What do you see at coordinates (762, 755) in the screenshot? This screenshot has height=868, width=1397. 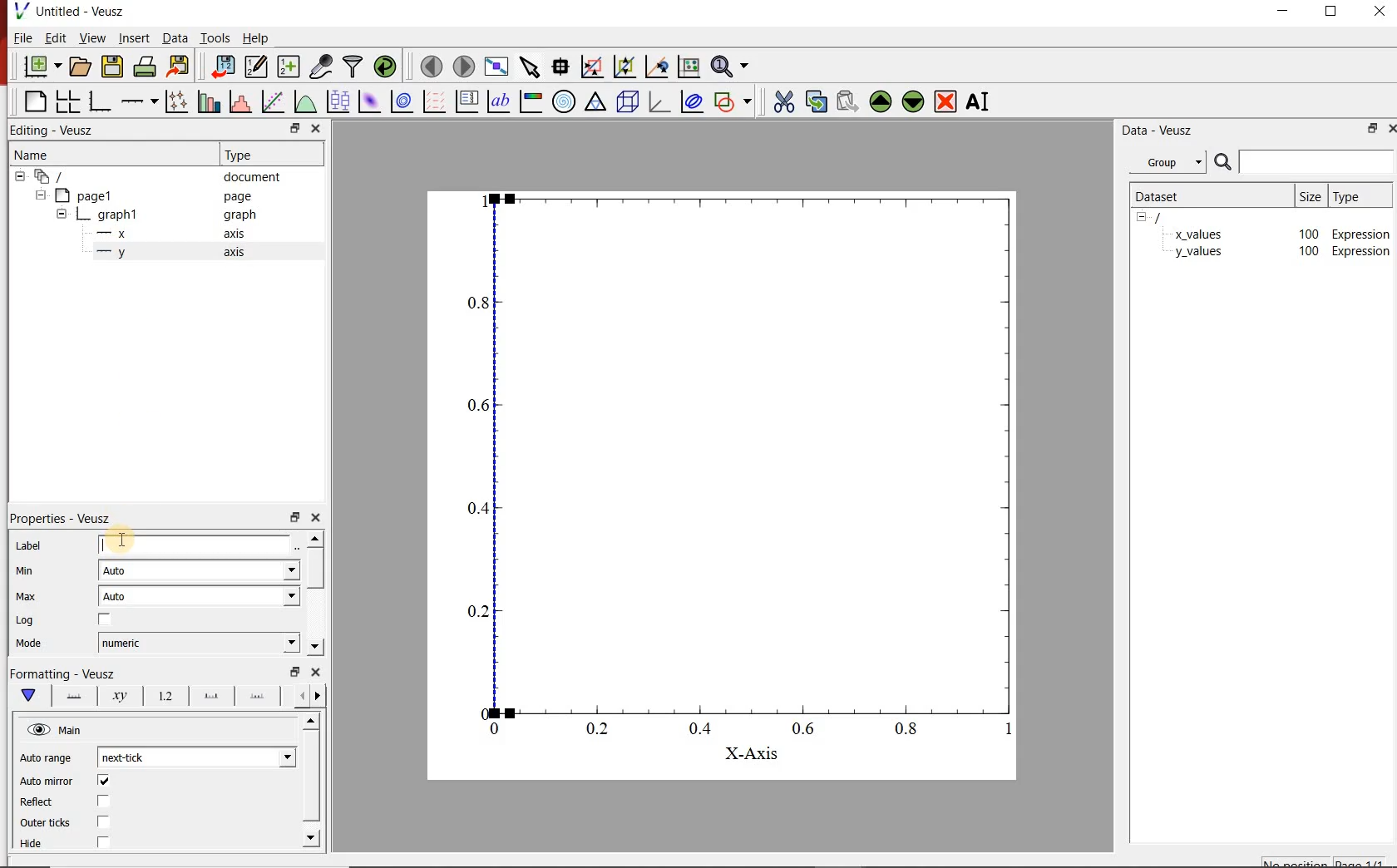 I see `X-Axis` at bounding box center [762, 755].